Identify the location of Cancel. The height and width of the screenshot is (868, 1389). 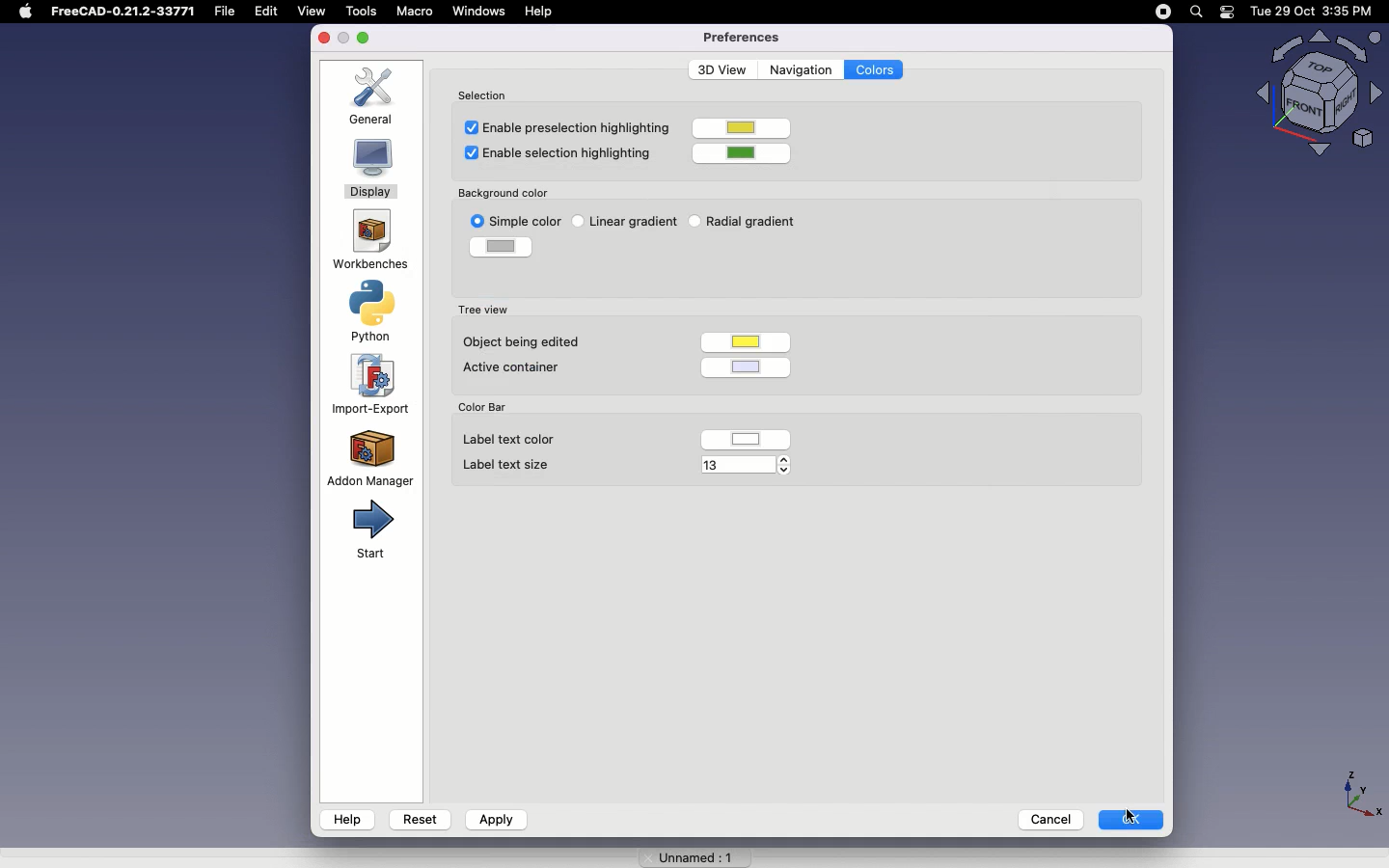
(1045, 818).